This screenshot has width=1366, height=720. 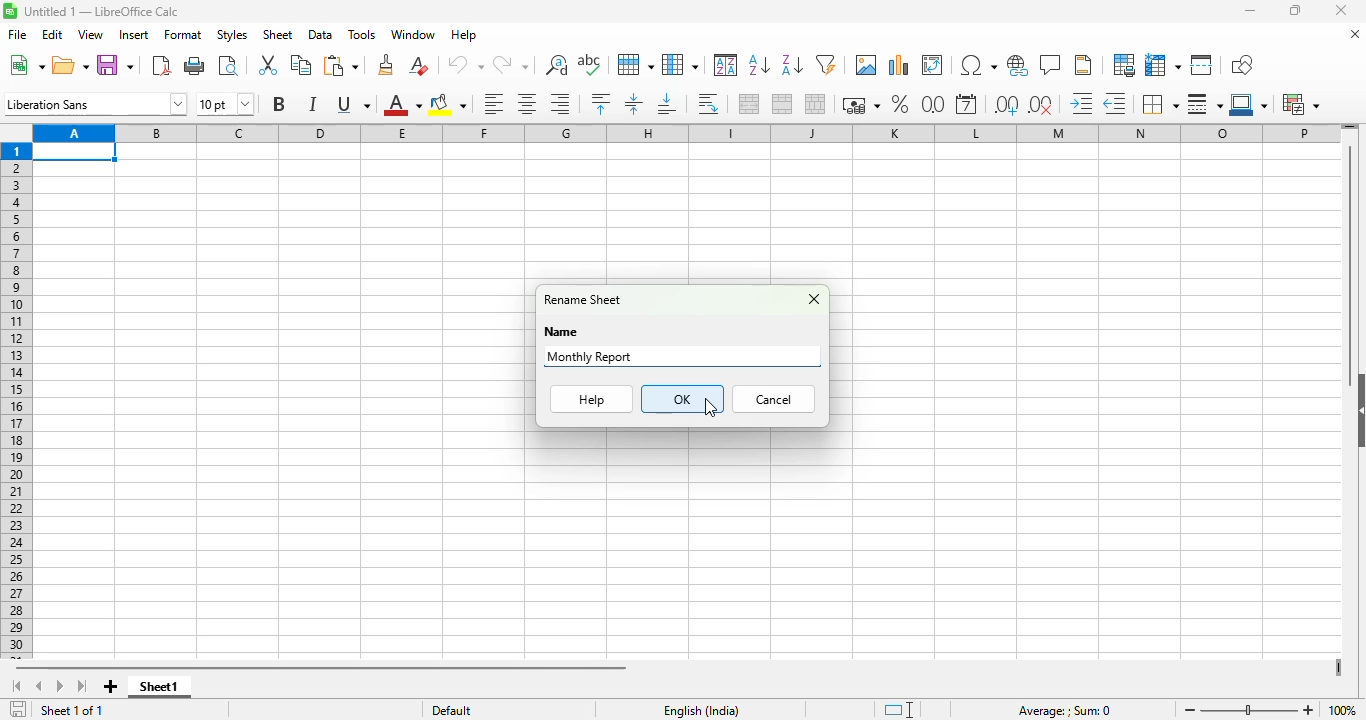 I want to click on bold, so click(x=279, y=103).